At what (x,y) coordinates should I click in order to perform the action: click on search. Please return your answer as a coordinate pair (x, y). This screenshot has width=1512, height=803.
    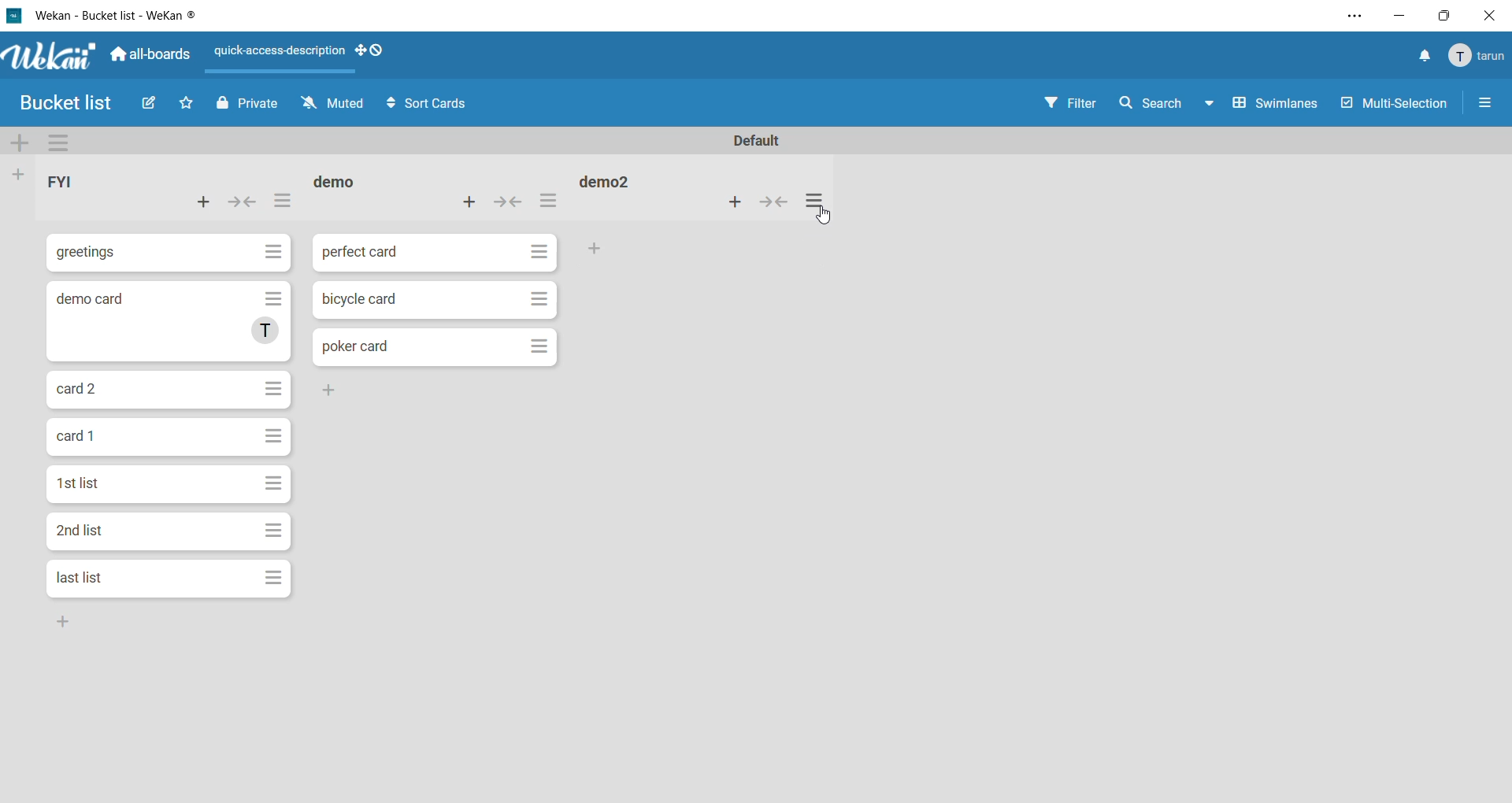
    Looking at the image, I should click on (1151, 105).